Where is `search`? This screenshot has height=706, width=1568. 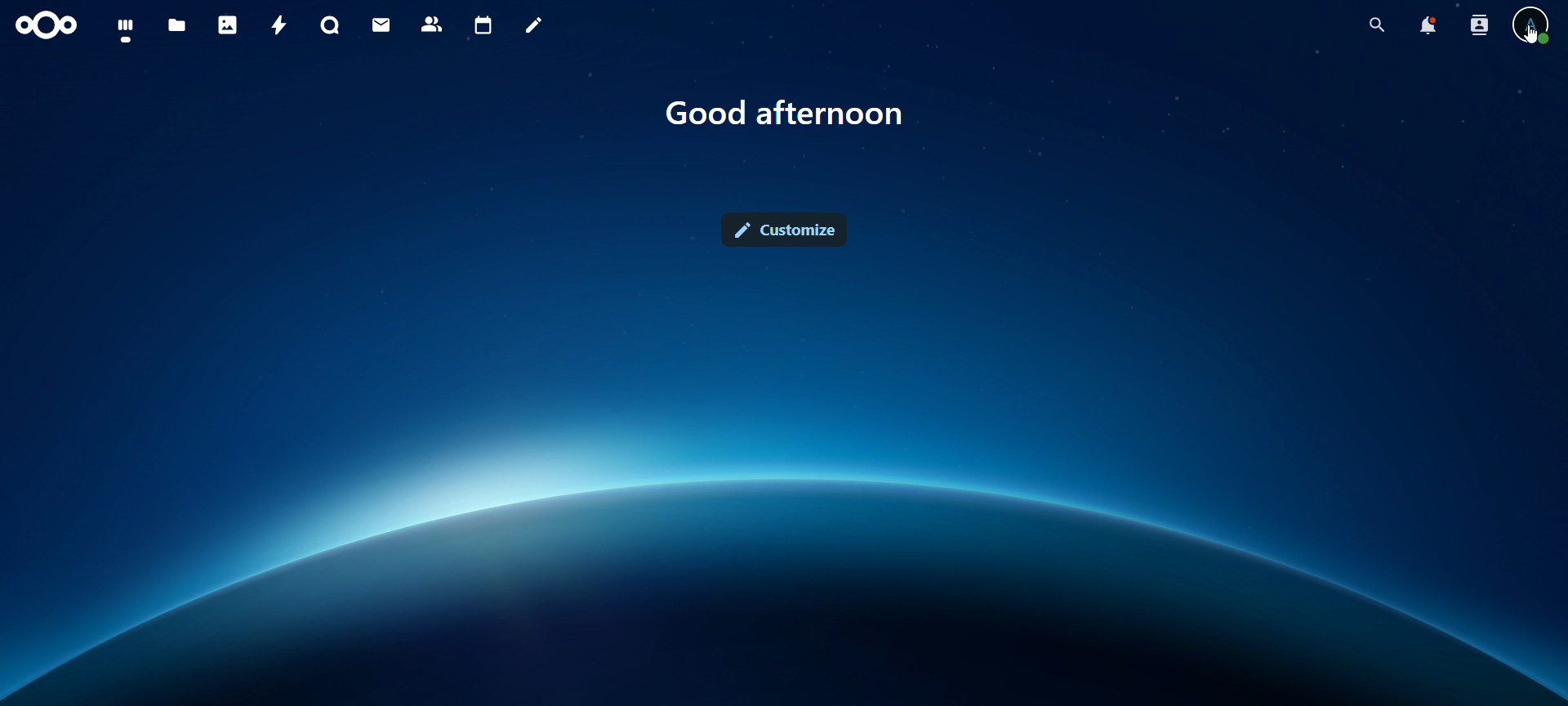 search is located at coordinates (1379, 25).